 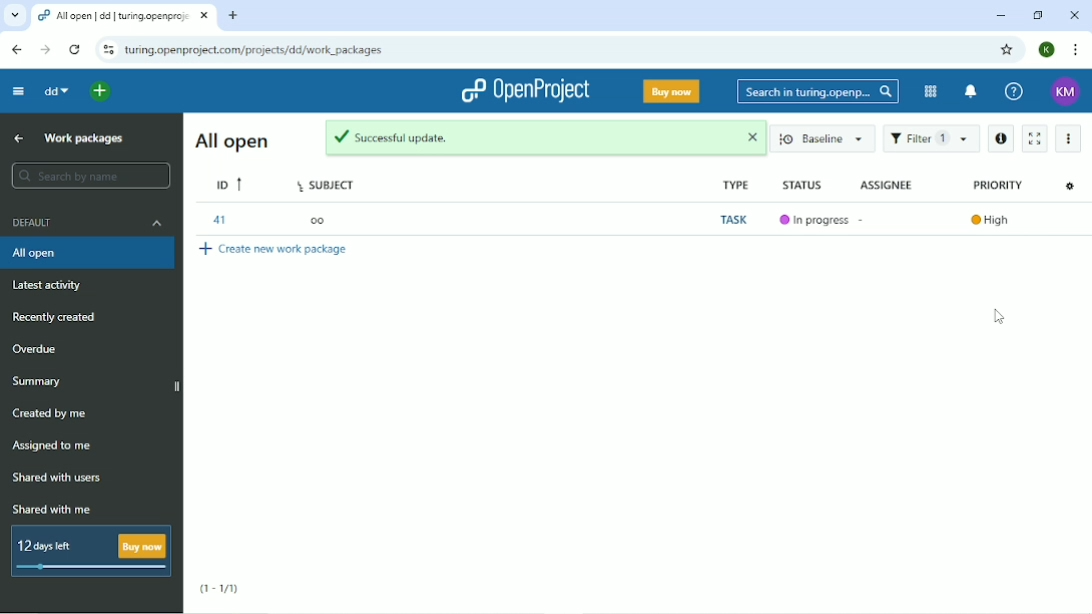 What do you see at coordinates (1039, 16) in the screenshot?
I see `Restore down` at bounding box center [1039, 16].